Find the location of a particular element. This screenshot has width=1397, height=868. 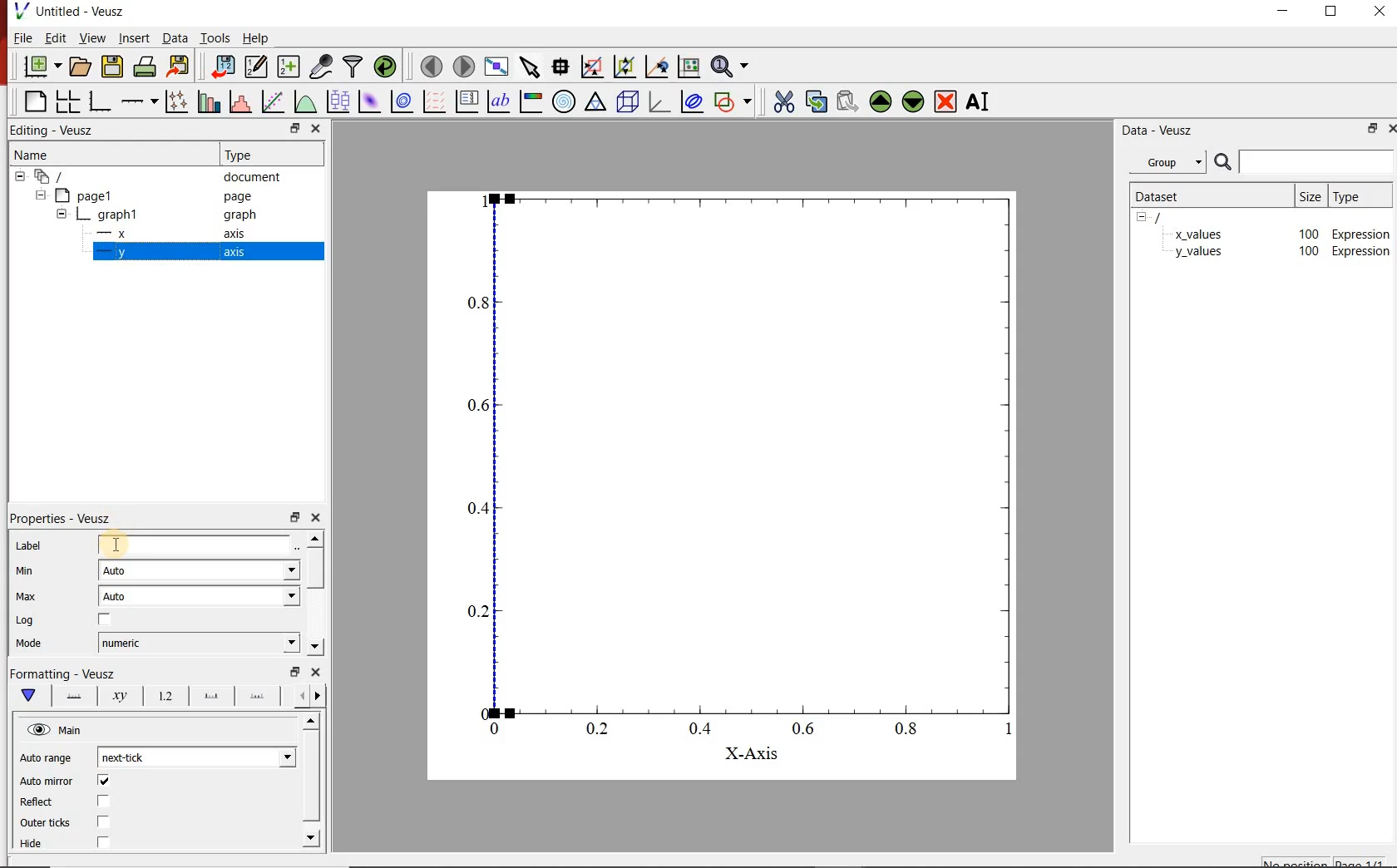

plot bar charts is located at coordinates (209, 101).